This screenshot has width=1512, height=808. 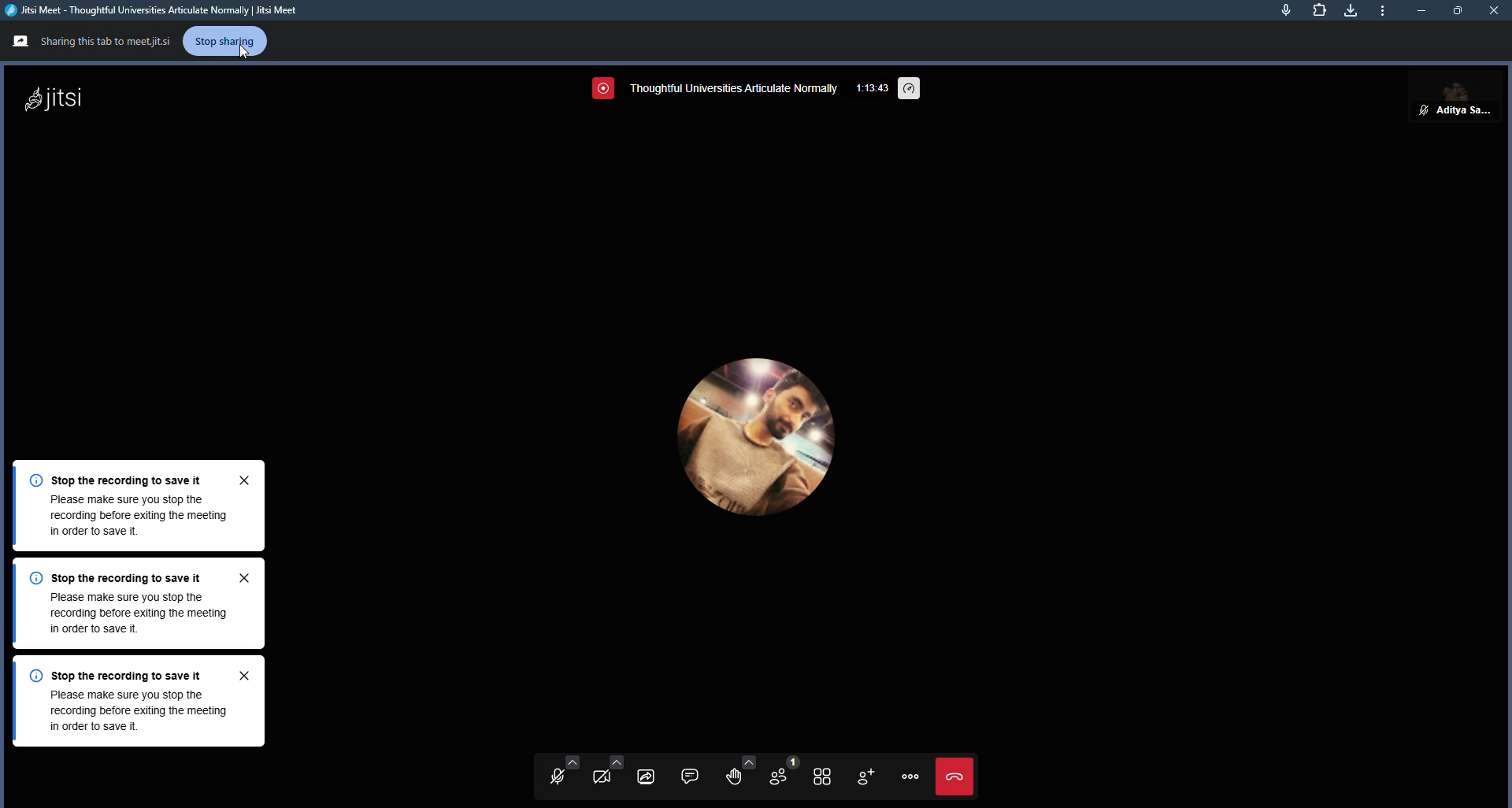 What do you see at coordinates (124, 674) in the screenshot?
I see `©) Stop the recording to save it` at bounding box center [124, 674].